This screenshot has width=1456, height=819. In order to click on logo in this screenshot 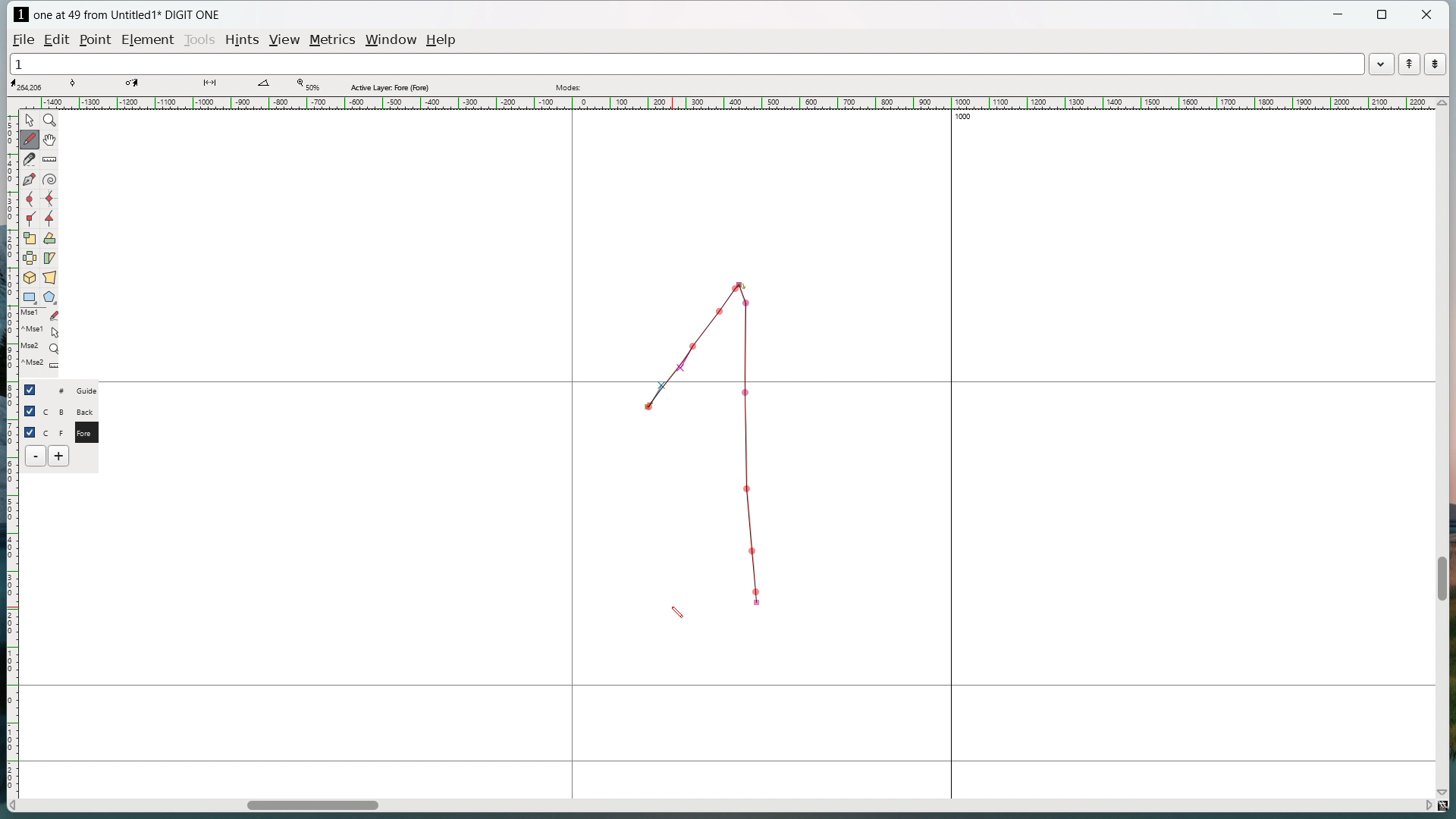, I will do `click(20, 14)`.